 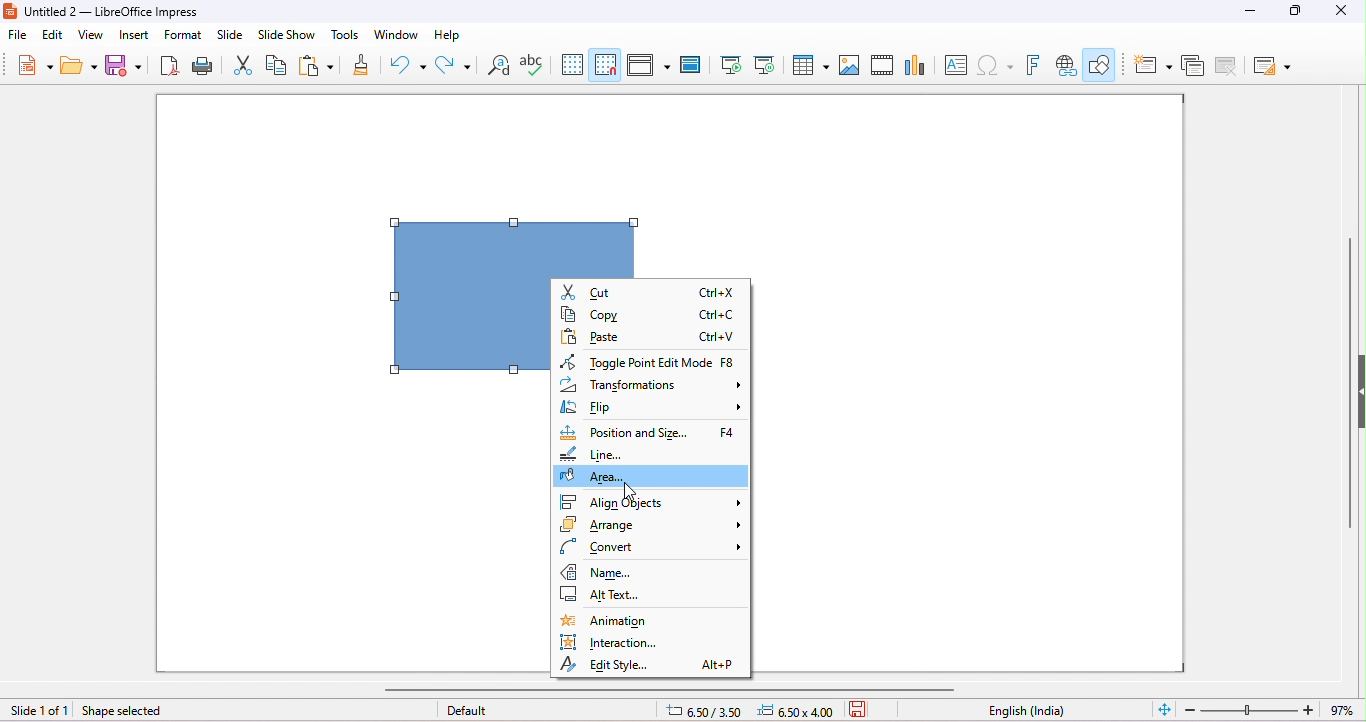 What do you see at coordinates (397, 34) in the screenshot?
I see `window` at bounding box center [397, 34].